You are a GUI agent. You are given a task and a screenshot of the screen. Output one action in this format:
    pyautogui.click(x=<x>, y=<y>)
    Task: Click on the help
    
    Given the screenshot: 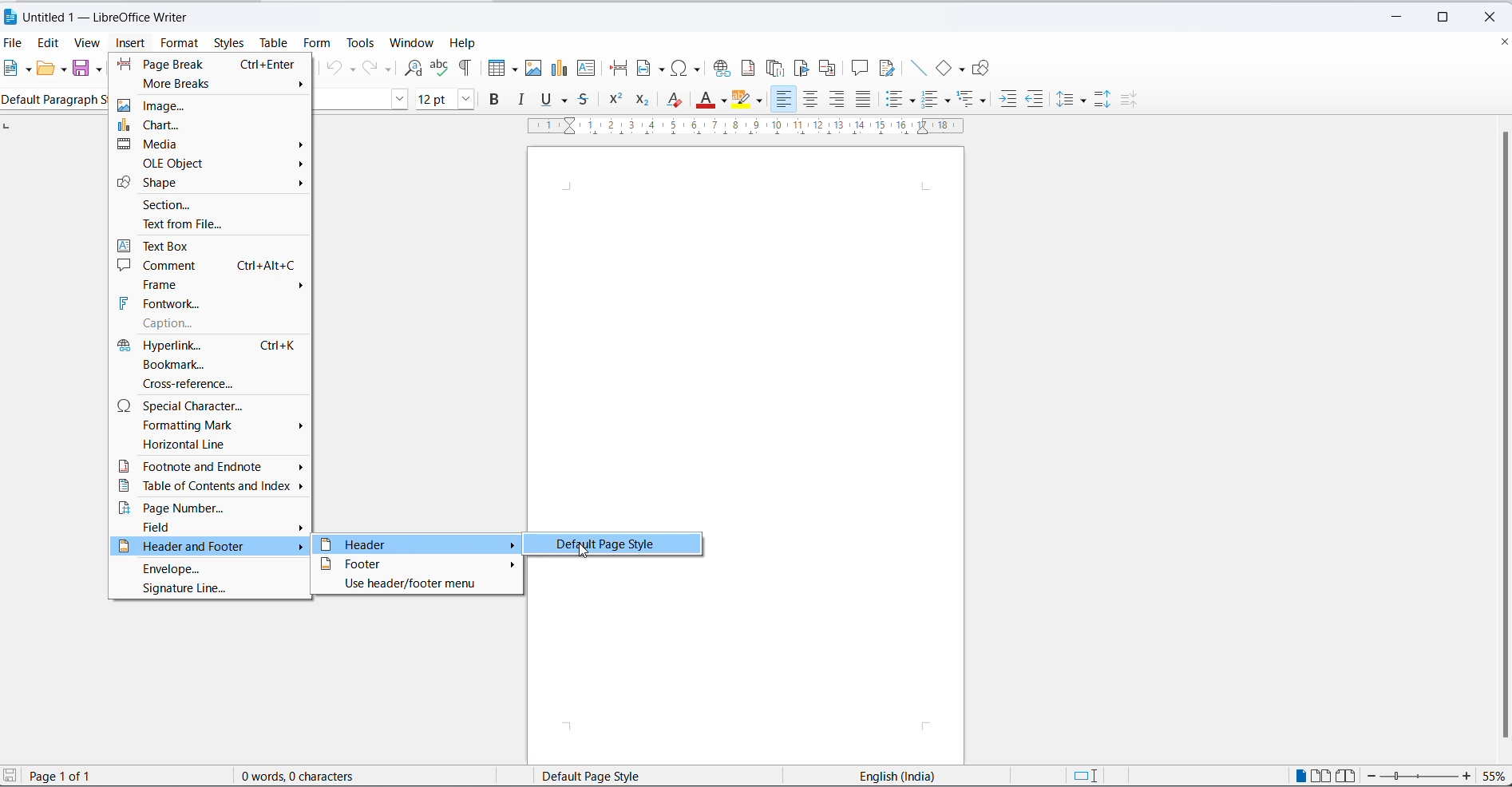 What is the action you would take?
    pyautogui.click(x=465, y=42)
    